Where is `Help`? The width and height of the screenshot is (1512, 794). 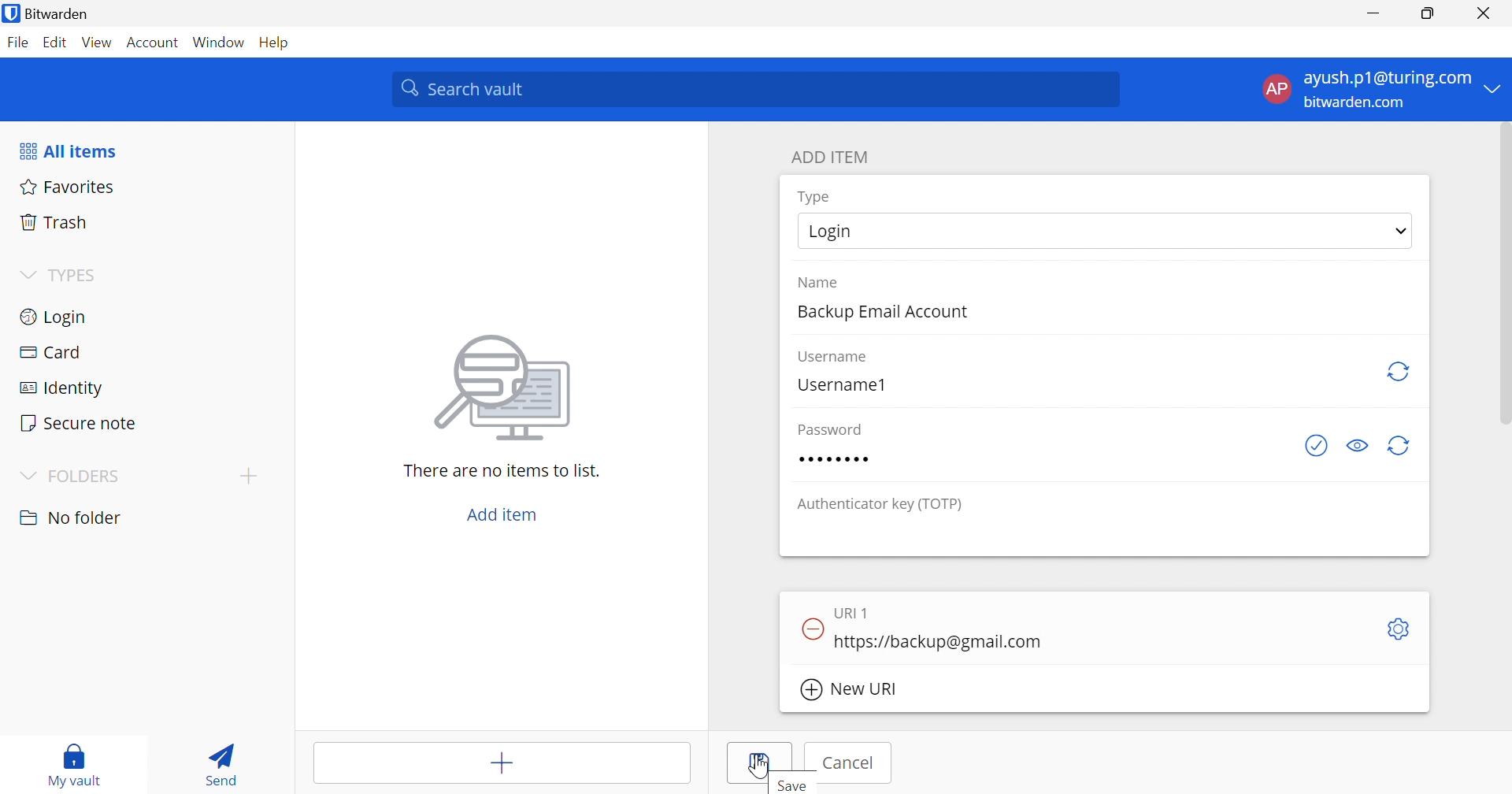
Help is located at coordinates (272, 42).